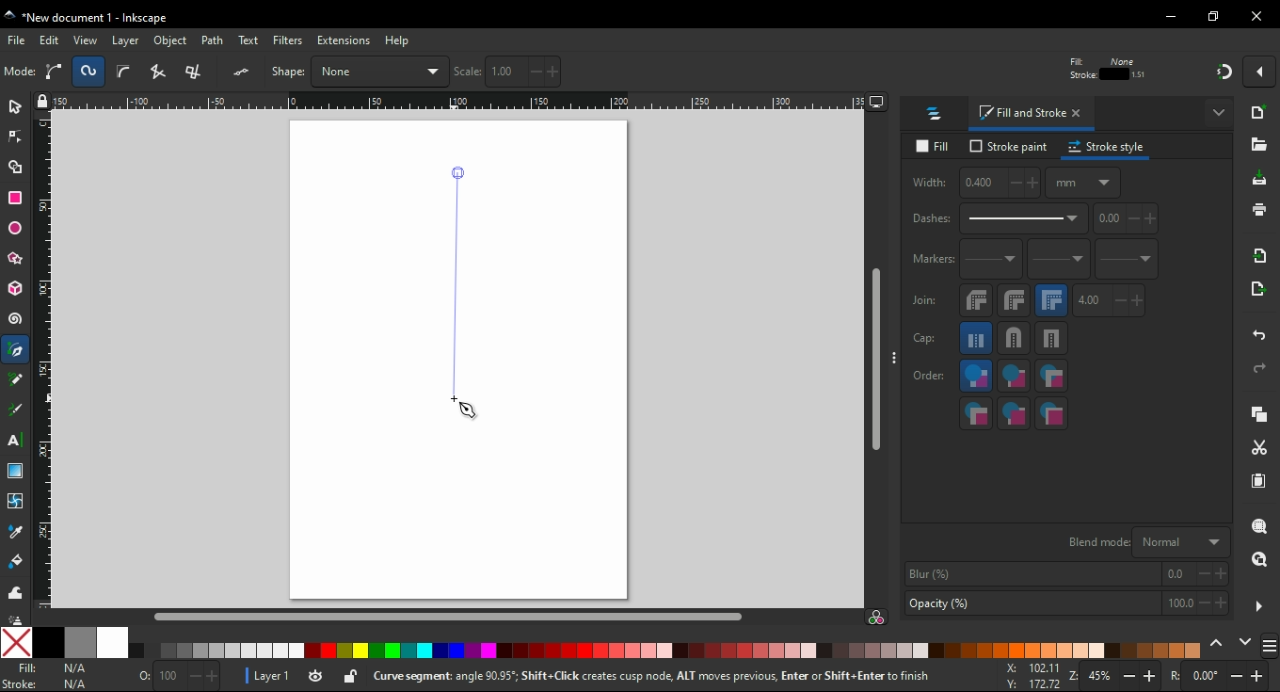 This screenshot has height=692, width=1280. What do you see at coordinates (17, 319) in the screenshot?
I see `spiral tool` at bounding box center [17, 319].